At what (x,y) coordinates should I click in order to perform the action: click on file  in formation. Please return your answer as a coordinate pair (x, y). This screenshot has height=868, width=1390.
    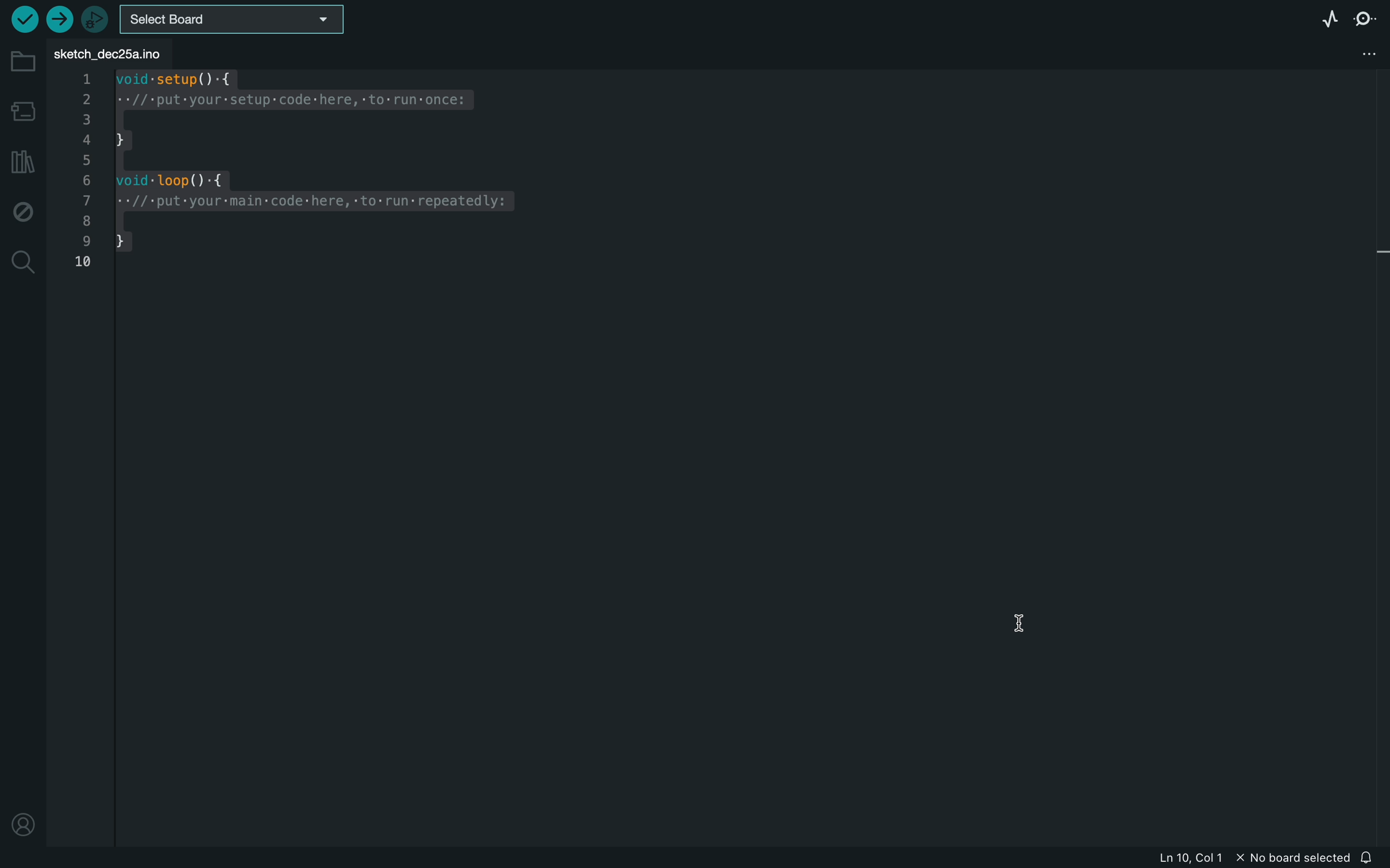
    Looking at the image, I should click on (1239, 858).